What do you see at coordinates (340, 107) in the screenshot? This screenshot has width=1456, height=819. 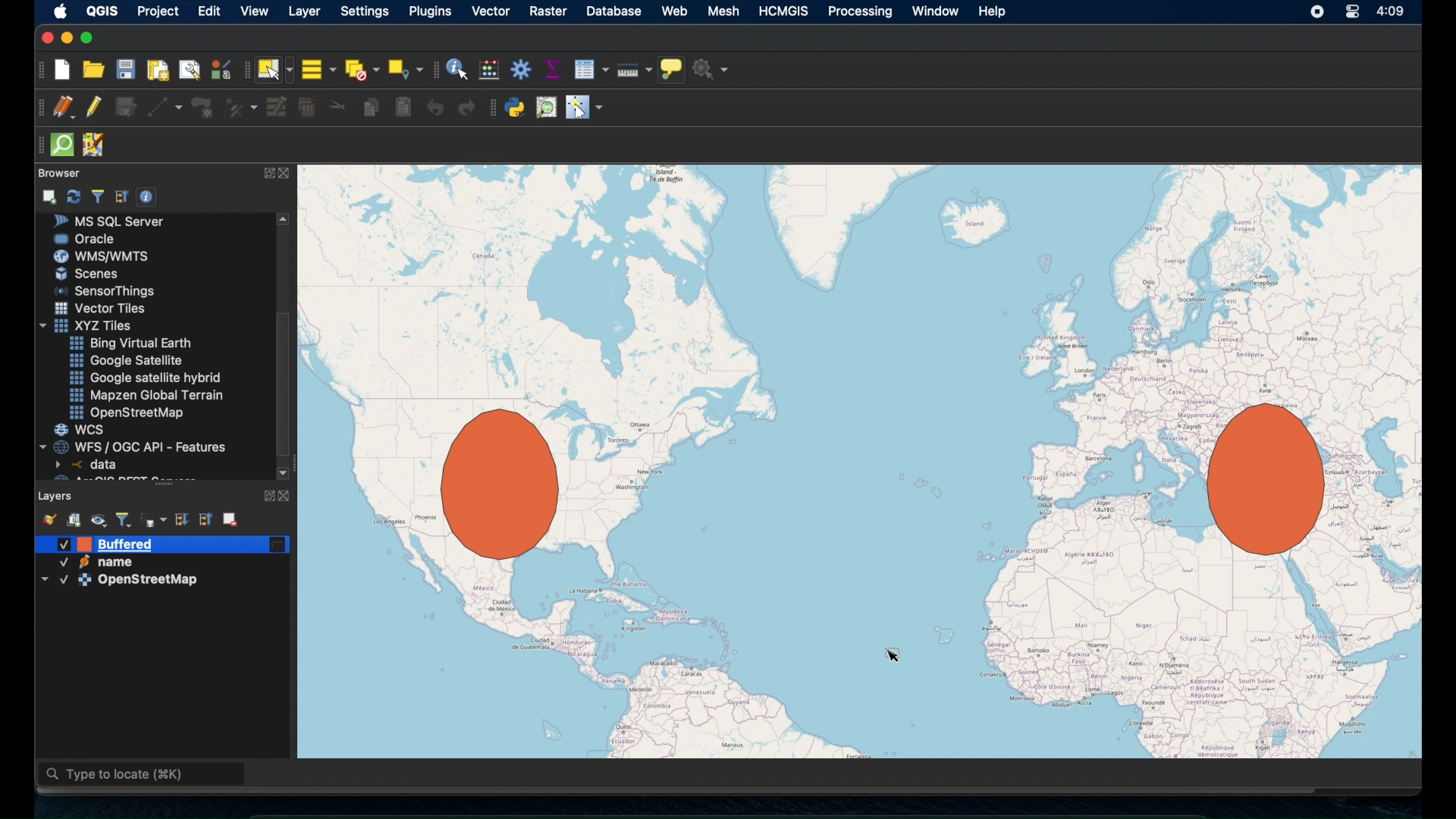 I see `cut features` at bounding box center [340, 107].